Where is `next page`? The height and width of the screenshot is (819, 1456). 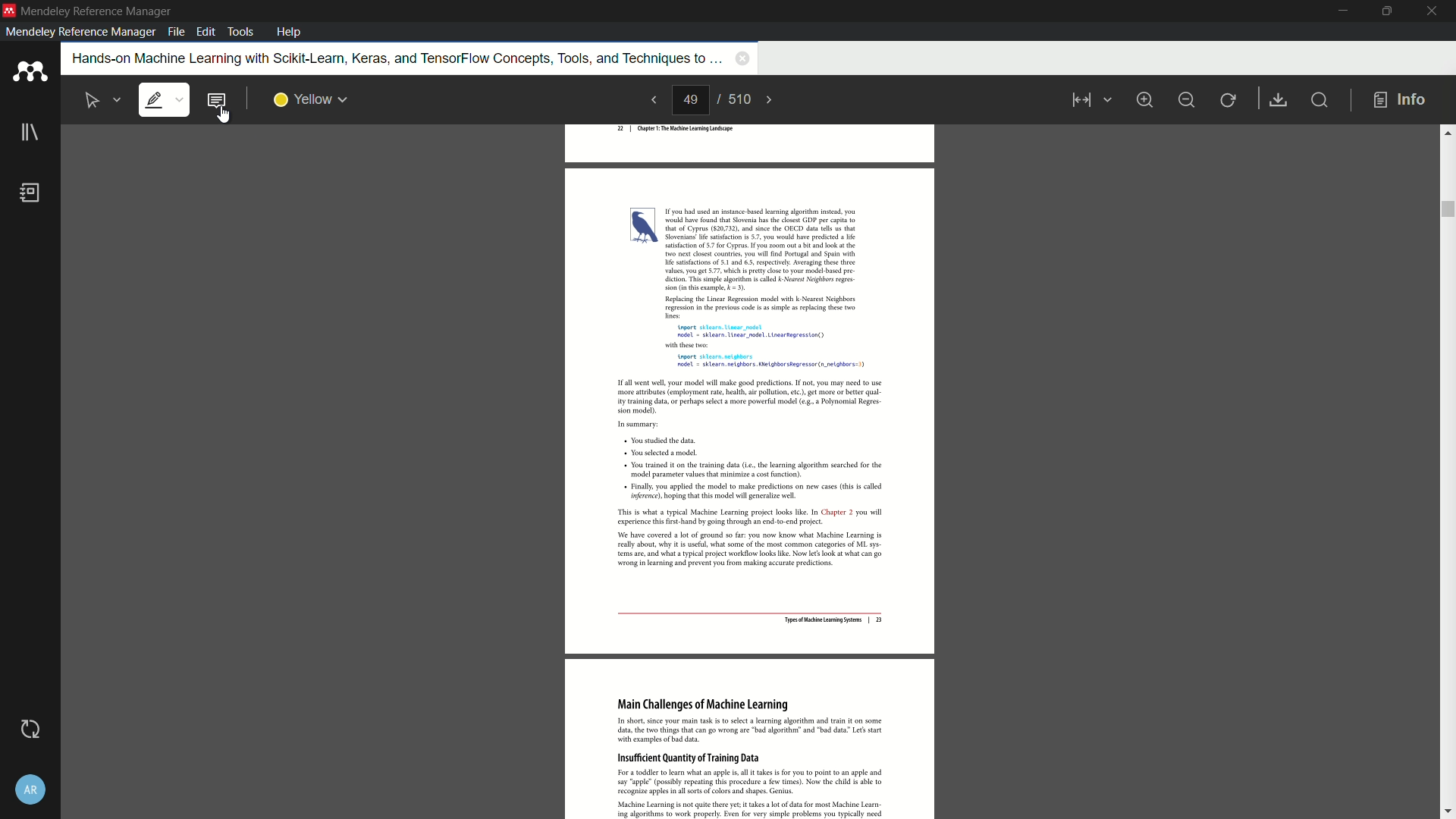
next page is located at coordinates (777, 99).